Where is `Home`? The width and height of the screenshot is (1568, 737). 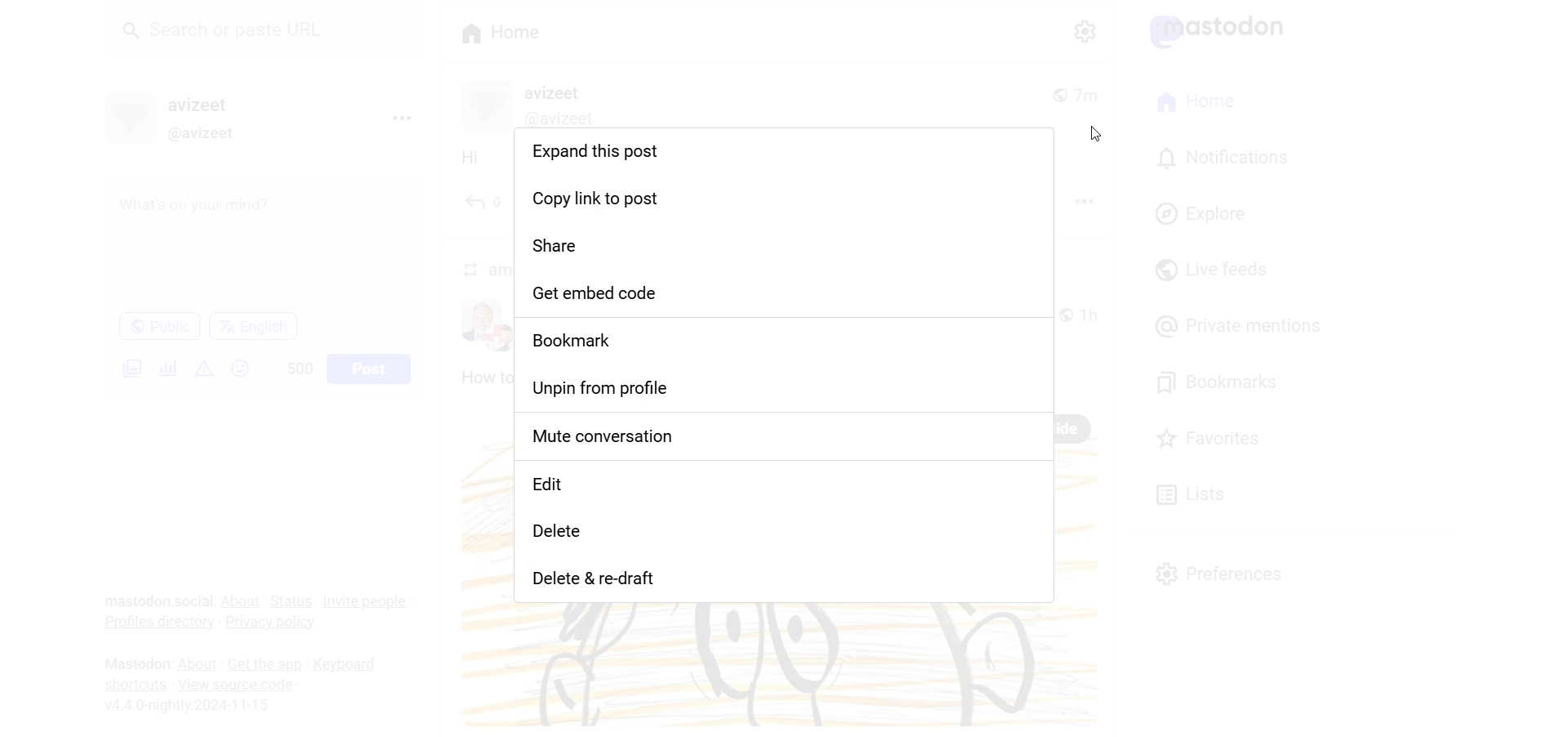 Home is located at coordinates (1196, 103).